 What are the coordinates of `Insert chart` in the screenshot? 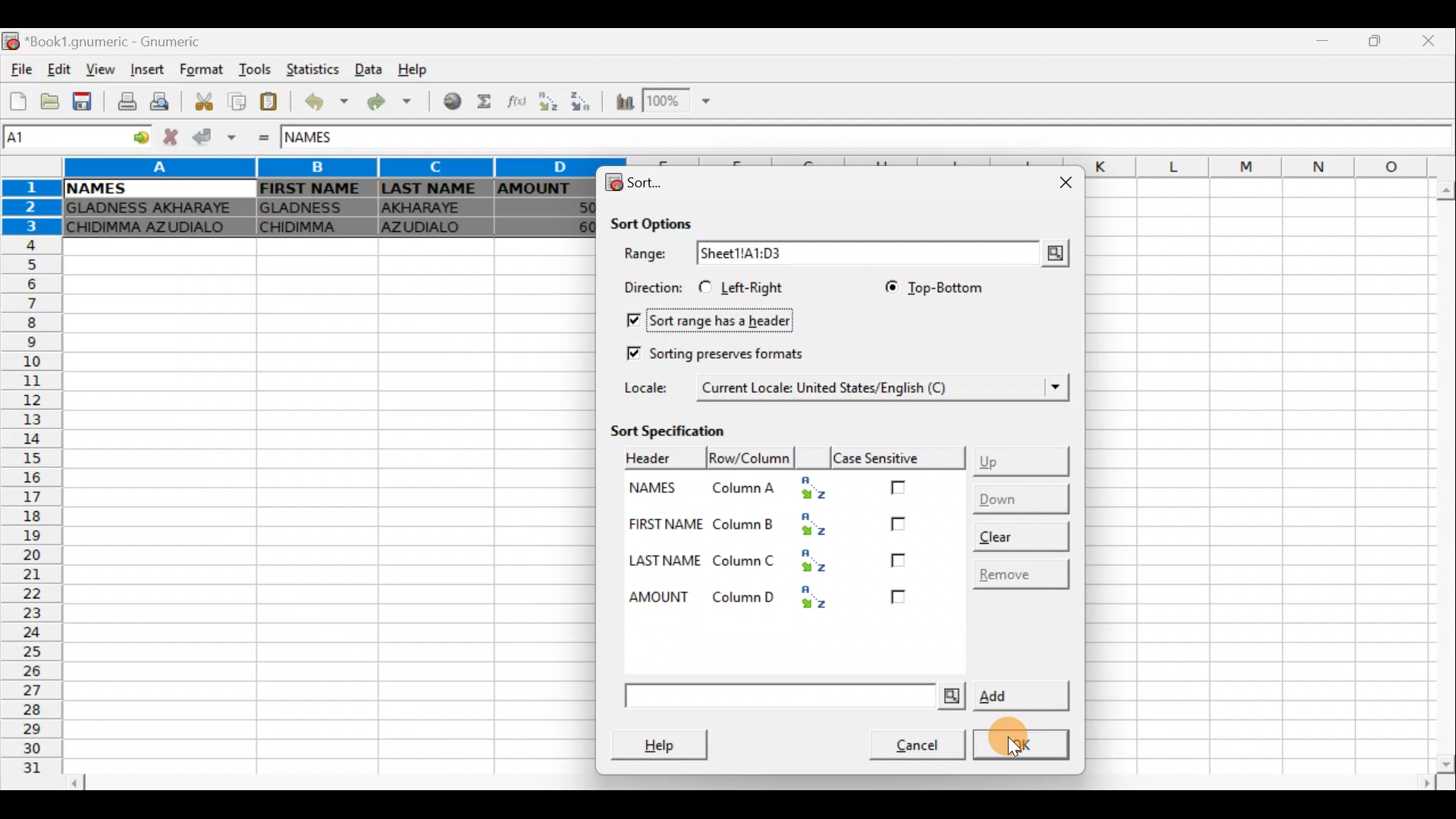 It's located at (624, 102).